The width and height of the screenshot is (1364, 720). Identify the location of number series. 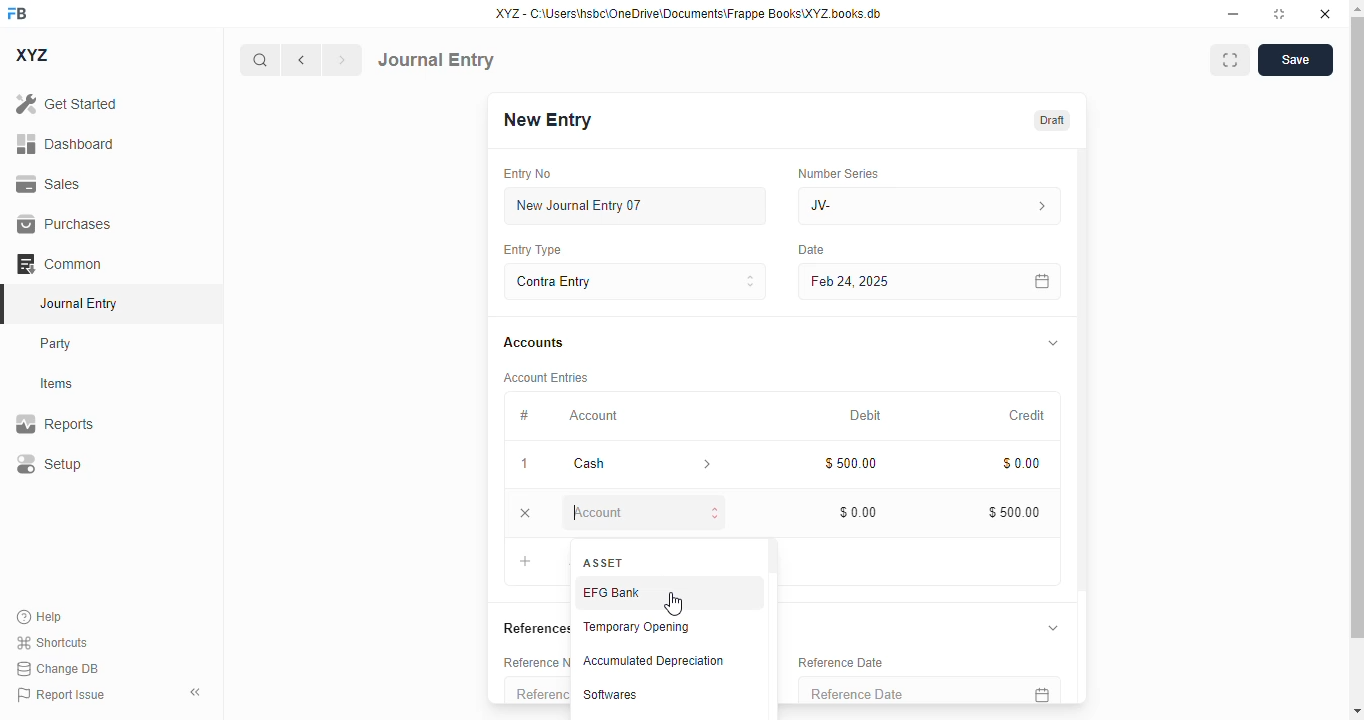
(838, 173).